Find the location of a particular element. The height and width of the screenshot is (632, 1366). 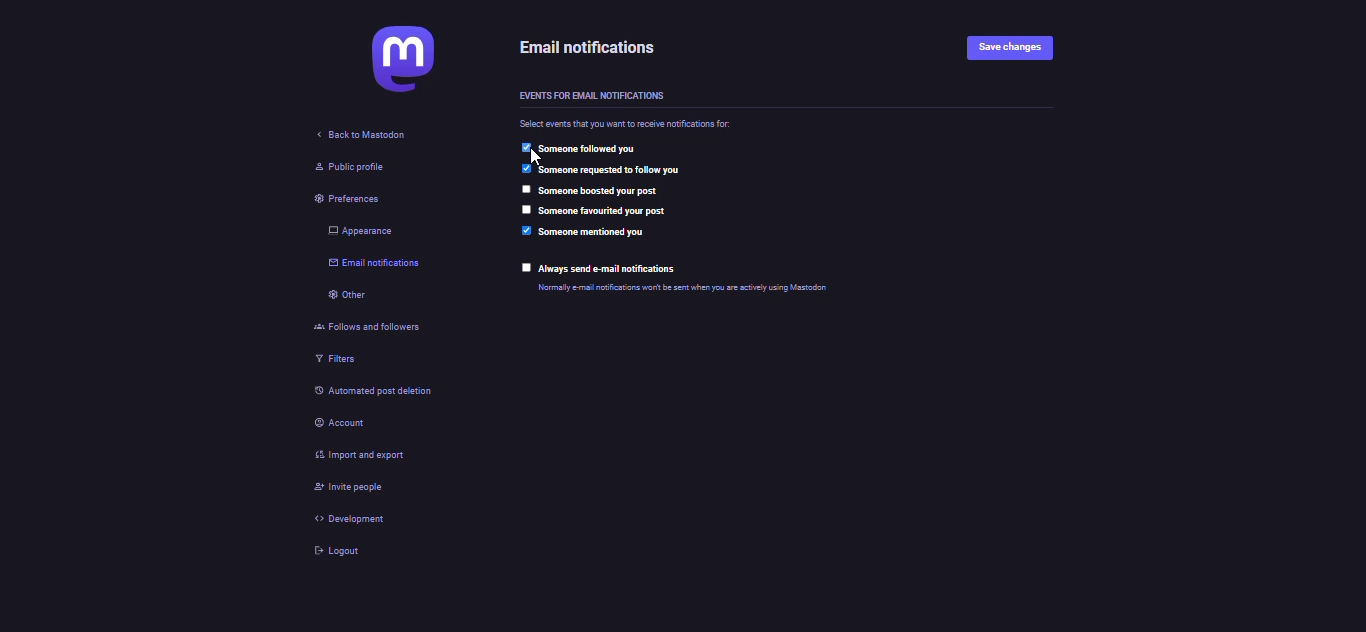

logout is located at coordinates (336, 549).